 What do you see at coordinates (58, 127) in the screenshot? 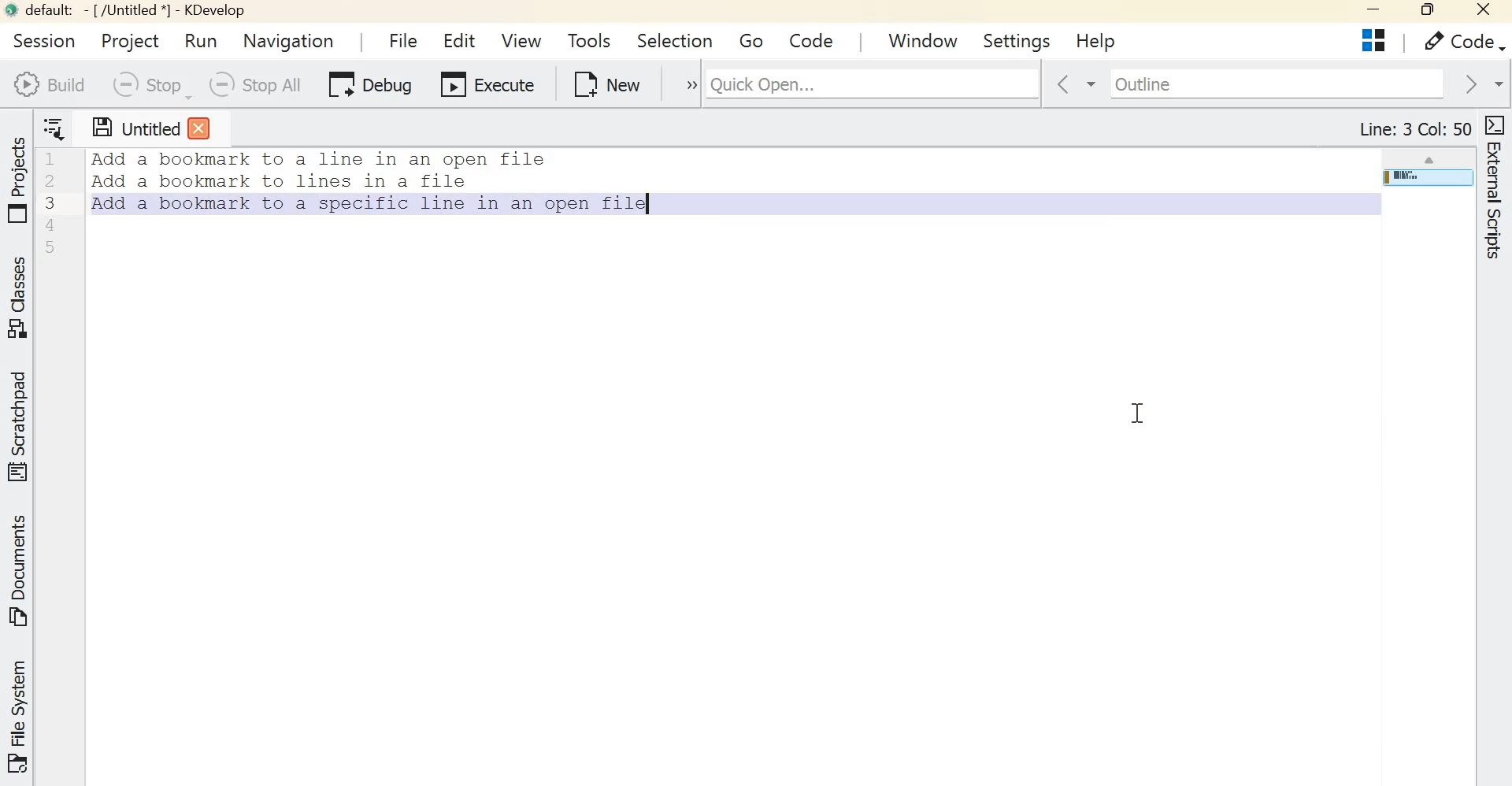
I see `Show sorted list of open documents` at bounding box center [58, 127].